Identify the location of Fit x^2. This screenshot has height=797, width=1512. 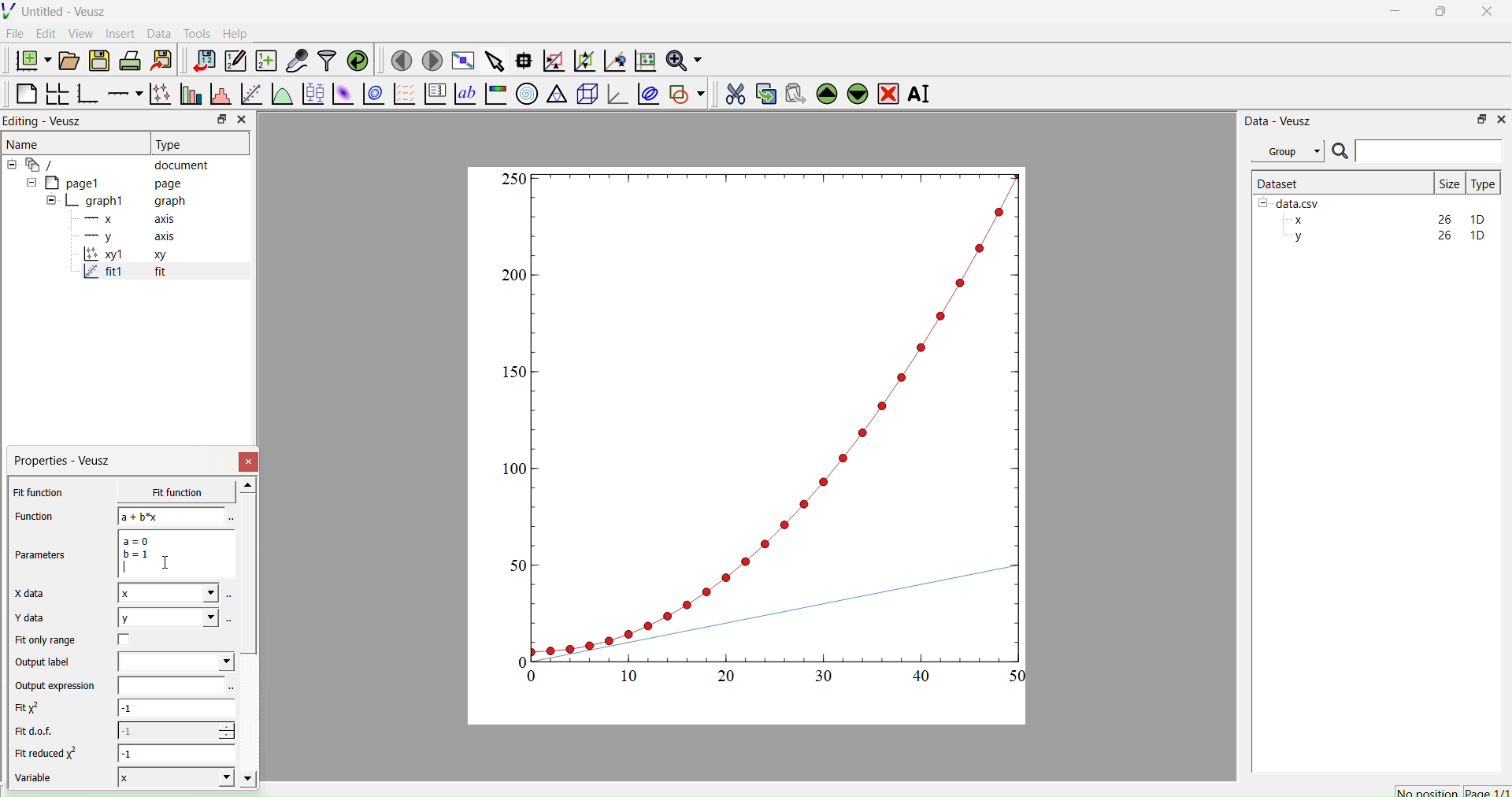
(35, 708).